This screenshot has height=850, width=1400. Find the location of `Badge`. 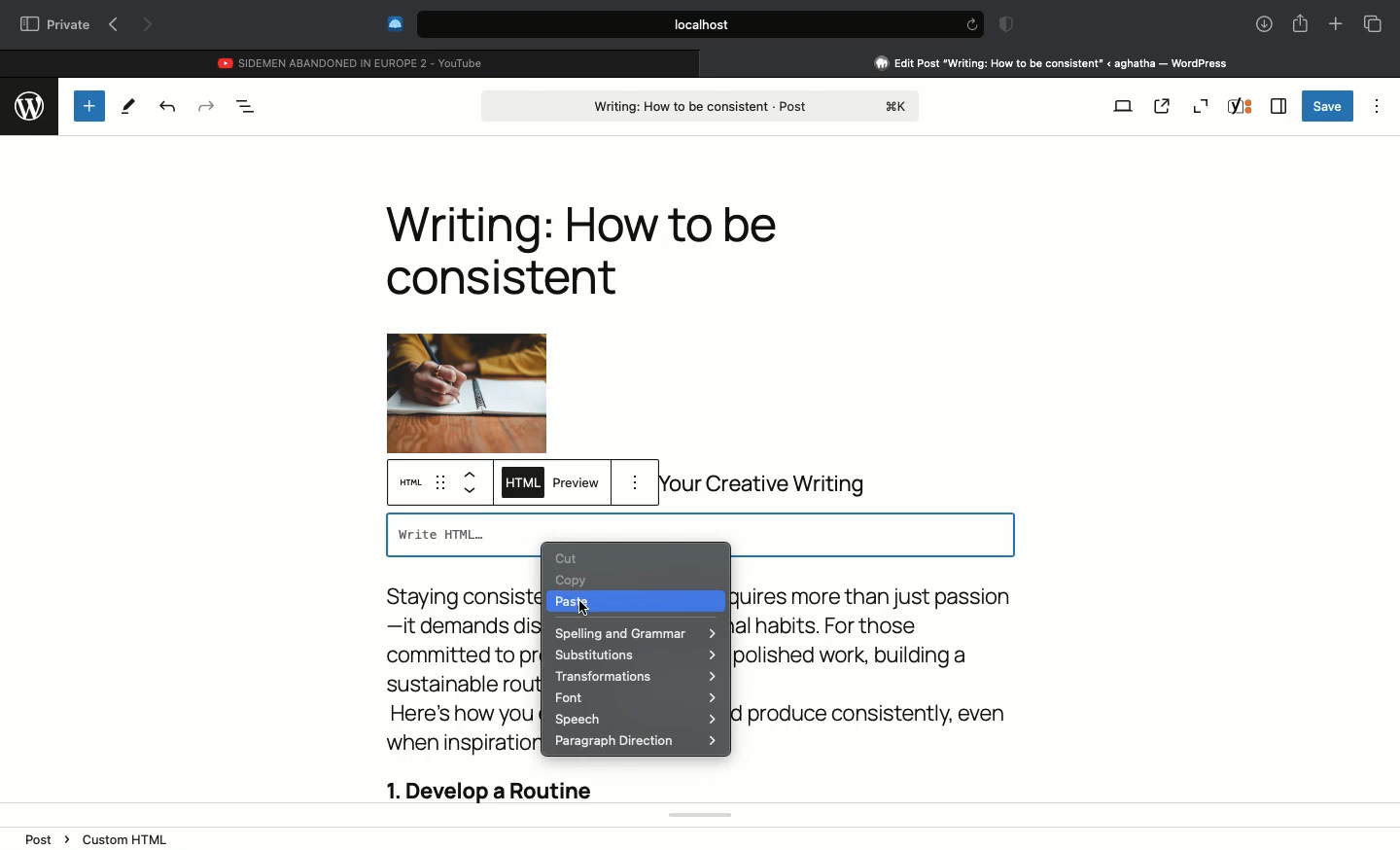

Badge is located at coordinates (1003, 25).